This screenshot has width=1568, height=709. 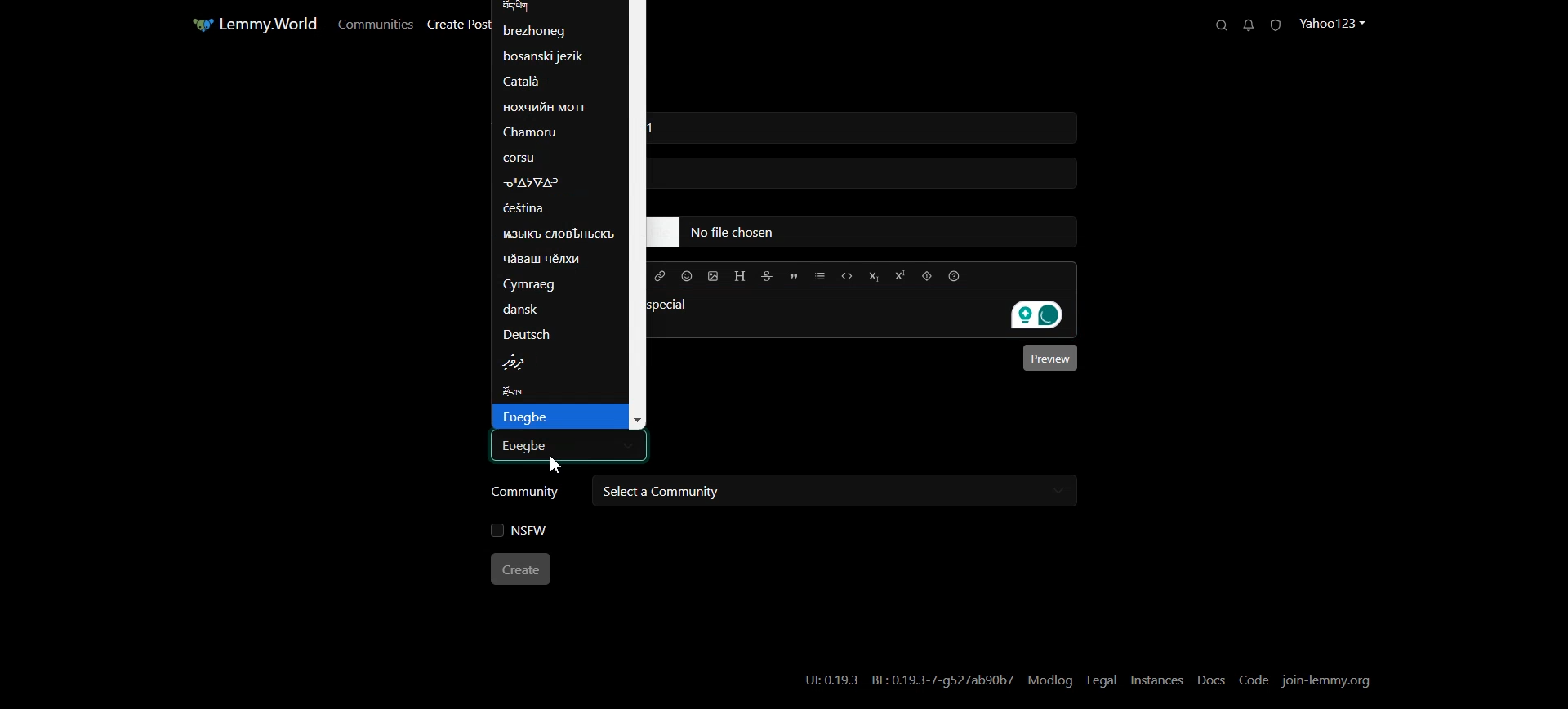 What do you see at coordinates (819, 276) in the screenshot?
I see `List` at bounding box center [819, 276].